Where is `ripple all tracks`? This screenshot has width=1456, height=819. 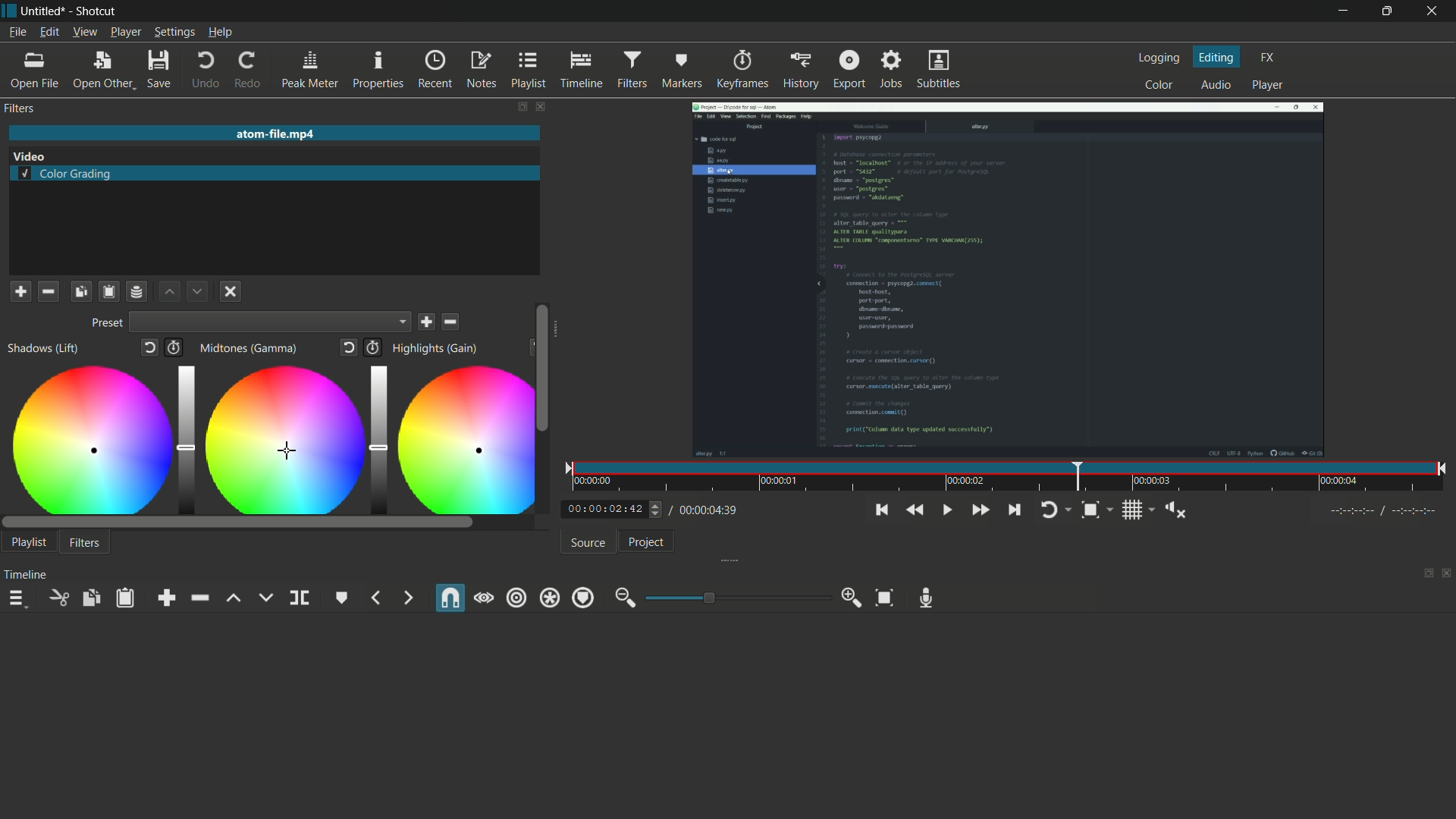
ripple all tracks is located at coordinates (549, 599).